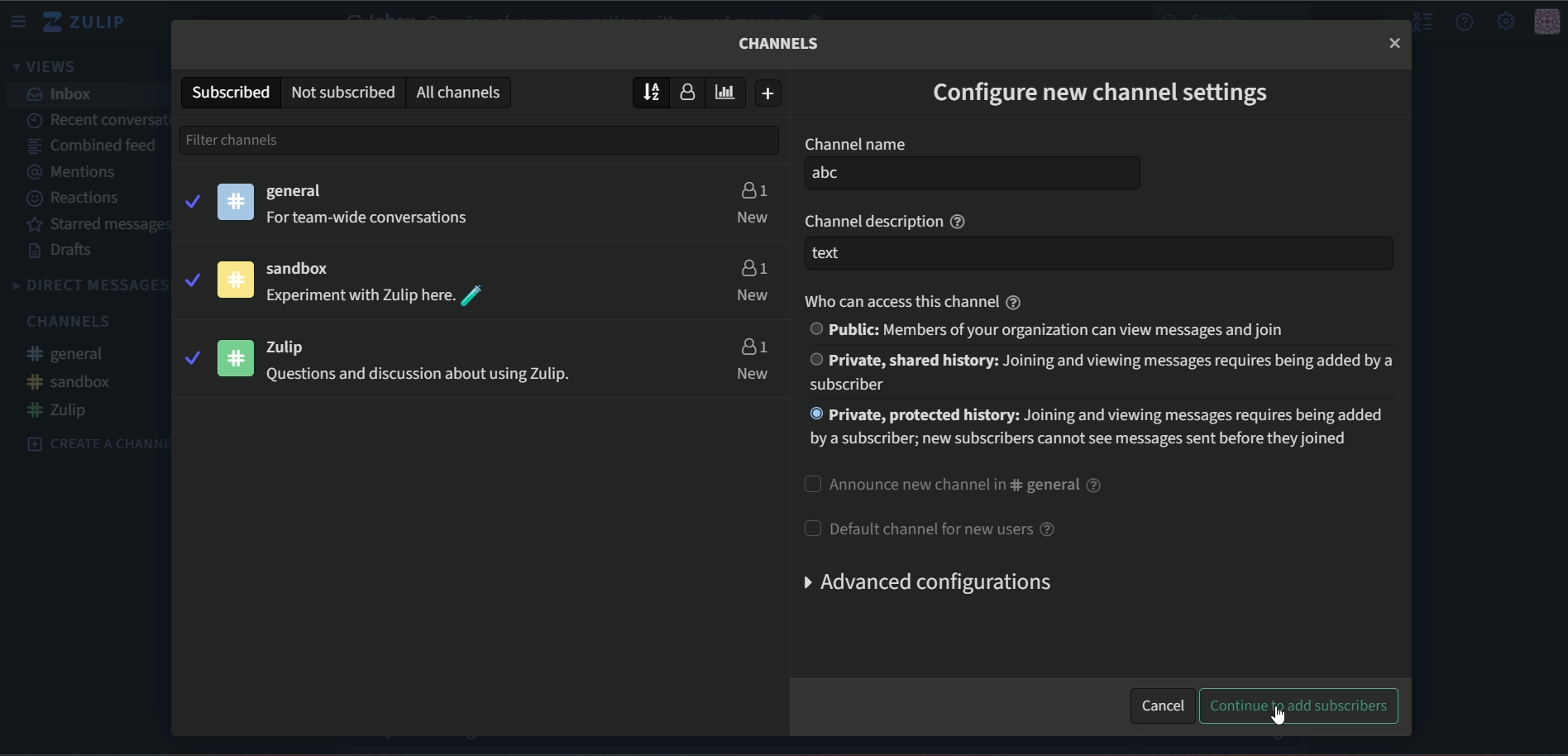  Describe the element at coordinates (753, 217) in the screenshot. I see `new` at that location.